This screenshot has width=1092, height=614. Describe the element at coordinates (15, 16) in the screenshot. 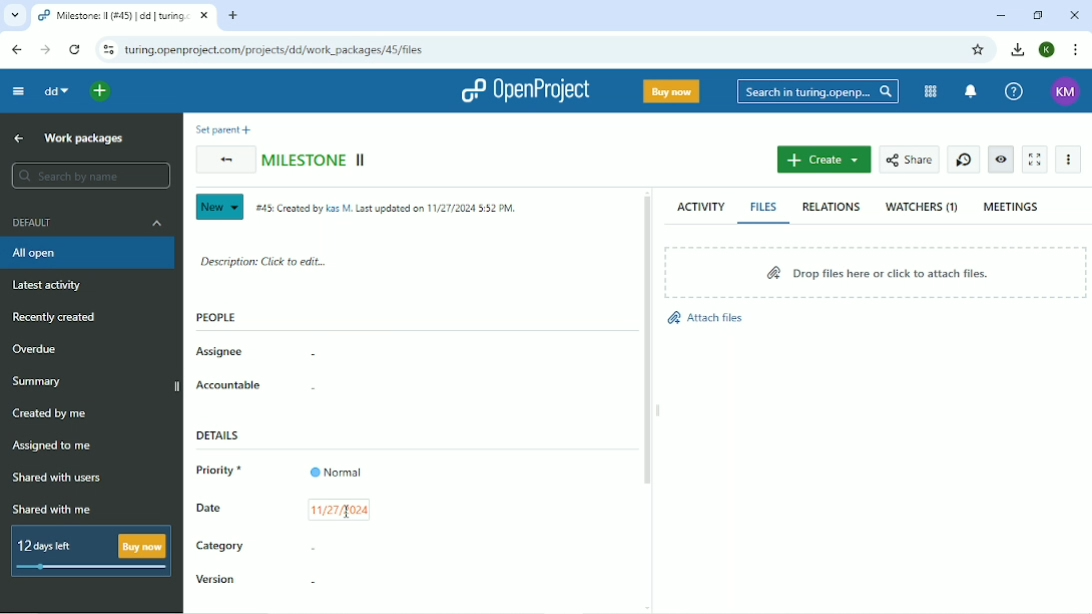

I see `Search tabs` at that location.